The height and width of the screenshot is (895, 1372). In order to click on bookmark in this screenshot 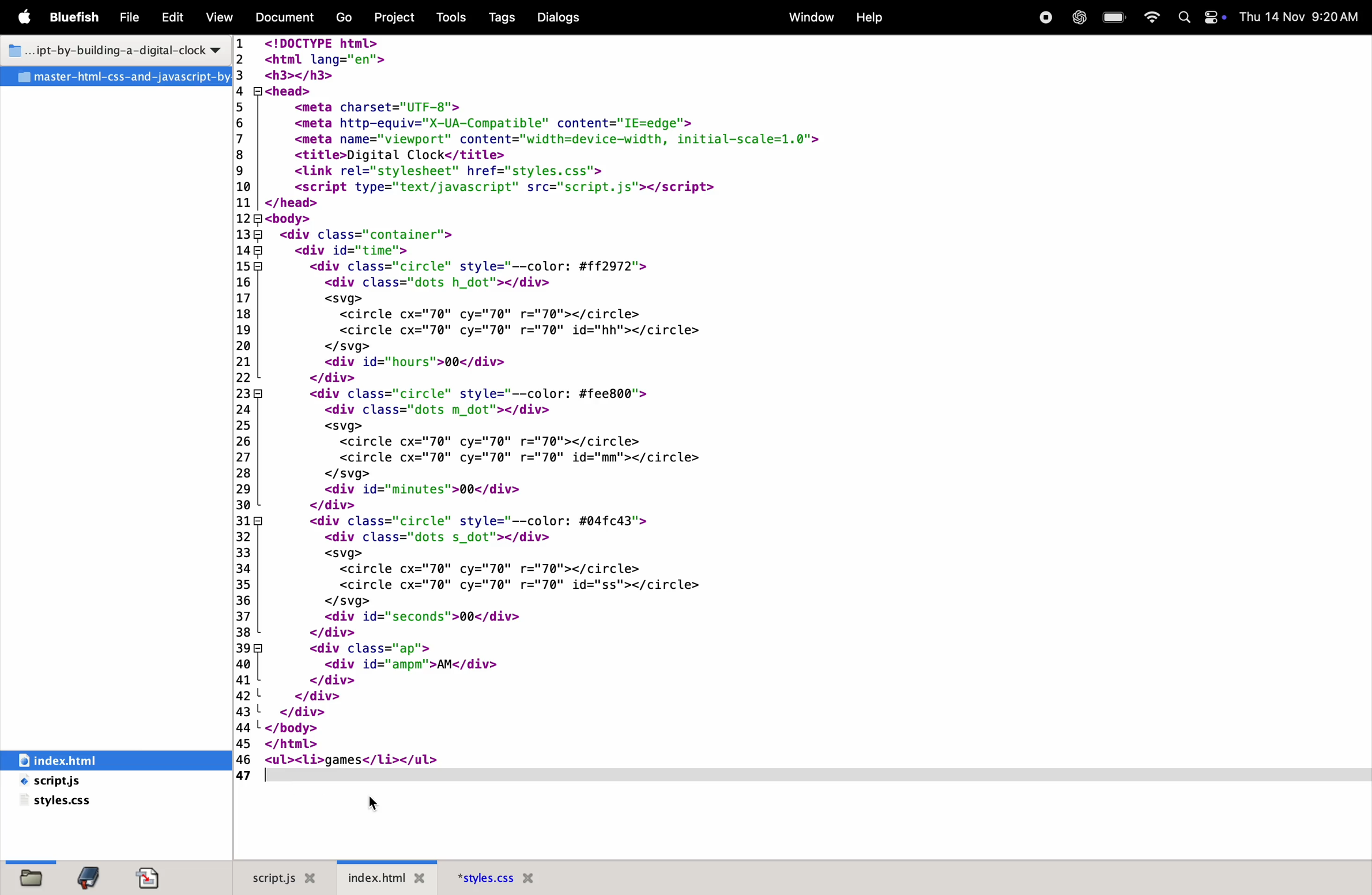, I will do `click(93, 877)`.